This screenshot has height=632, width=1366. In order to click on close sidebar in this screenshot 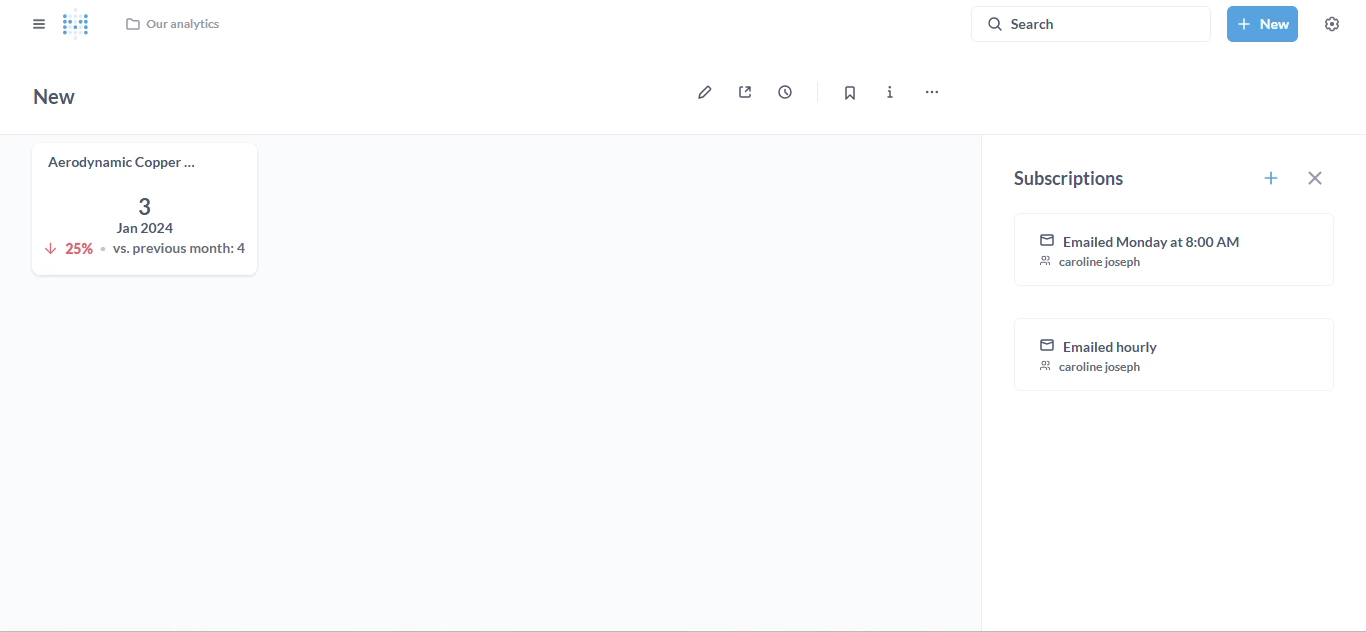, I will do `click(39, 23)`.